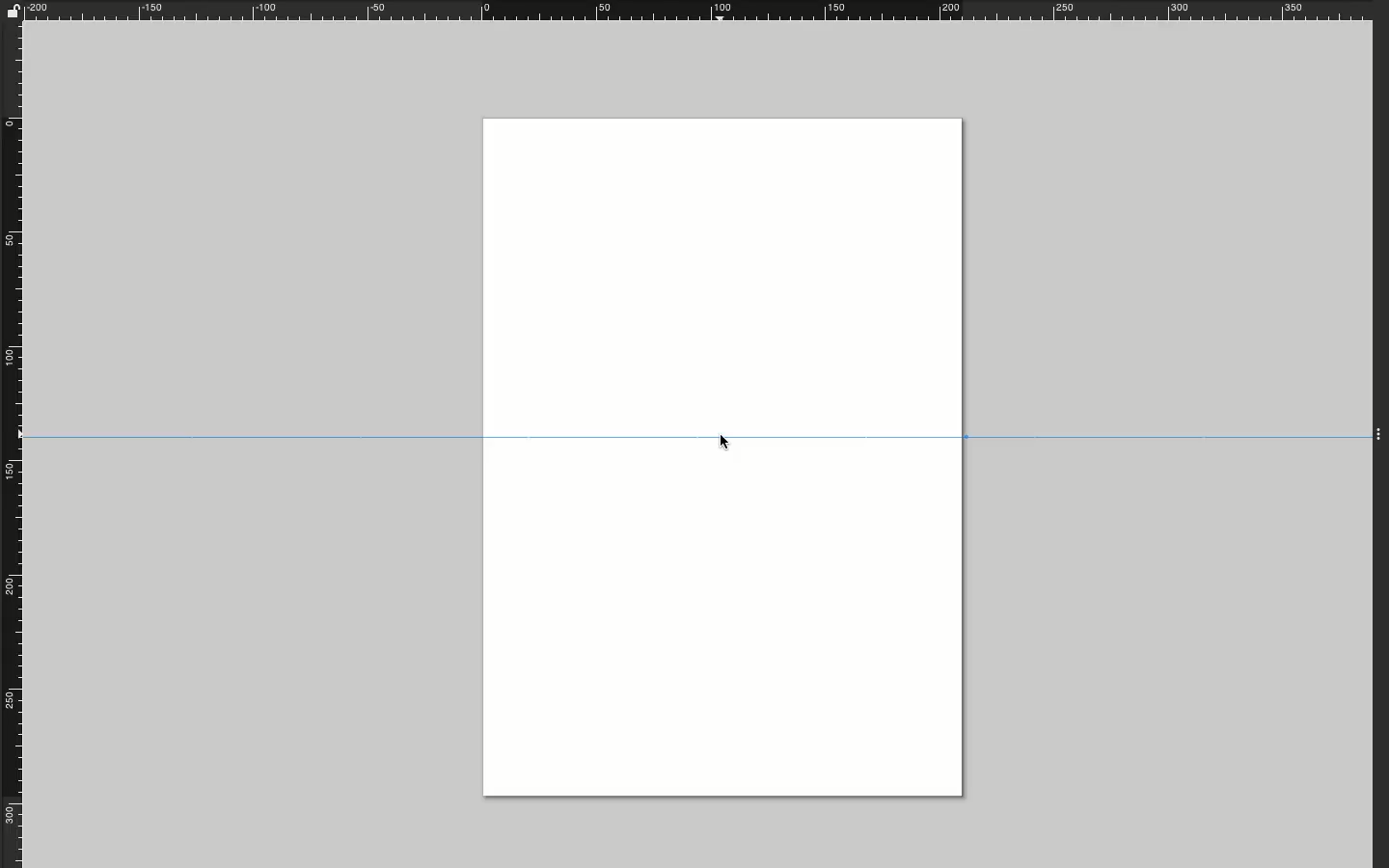  What do you see at coordinates (13, 10) in the screenshot?
I see `Unlock` at bounding box center [13, 10].